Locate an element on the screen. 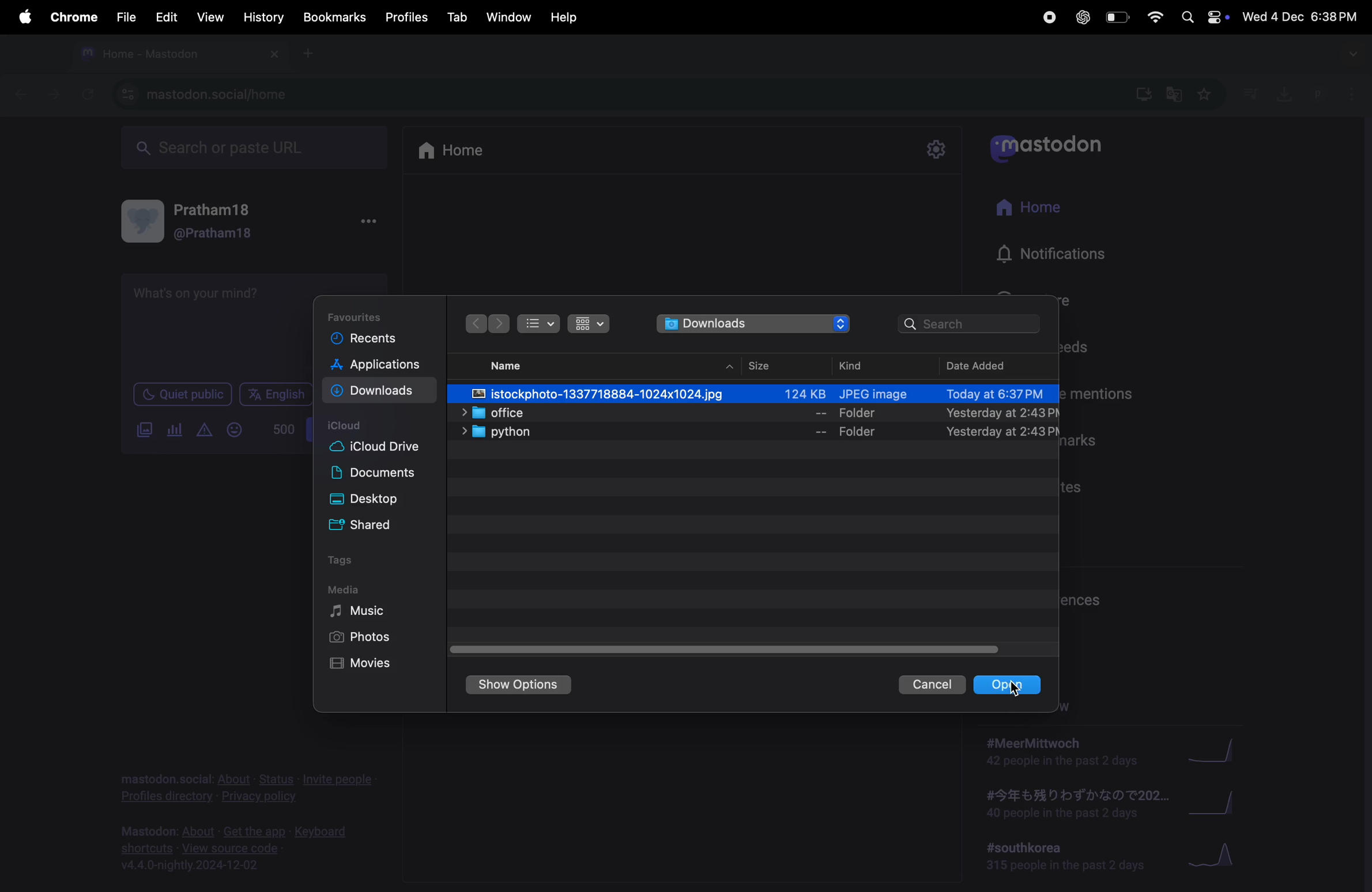 The width and height of the screenshot is (1372, 892). refresh is located at coordinates (88, 94).